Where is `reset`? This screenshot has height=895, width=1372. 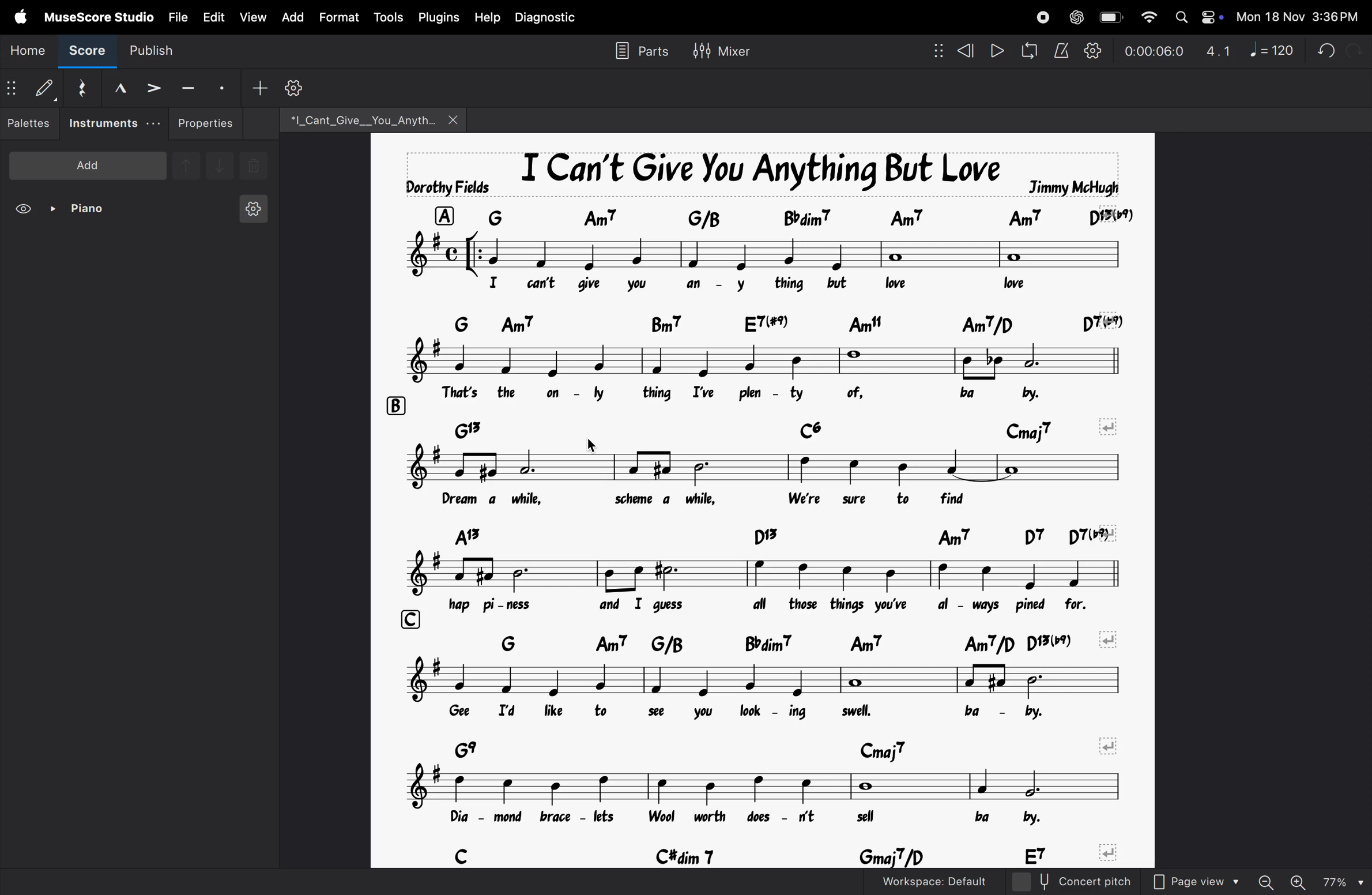
reset is located at coordinates (84, 88).